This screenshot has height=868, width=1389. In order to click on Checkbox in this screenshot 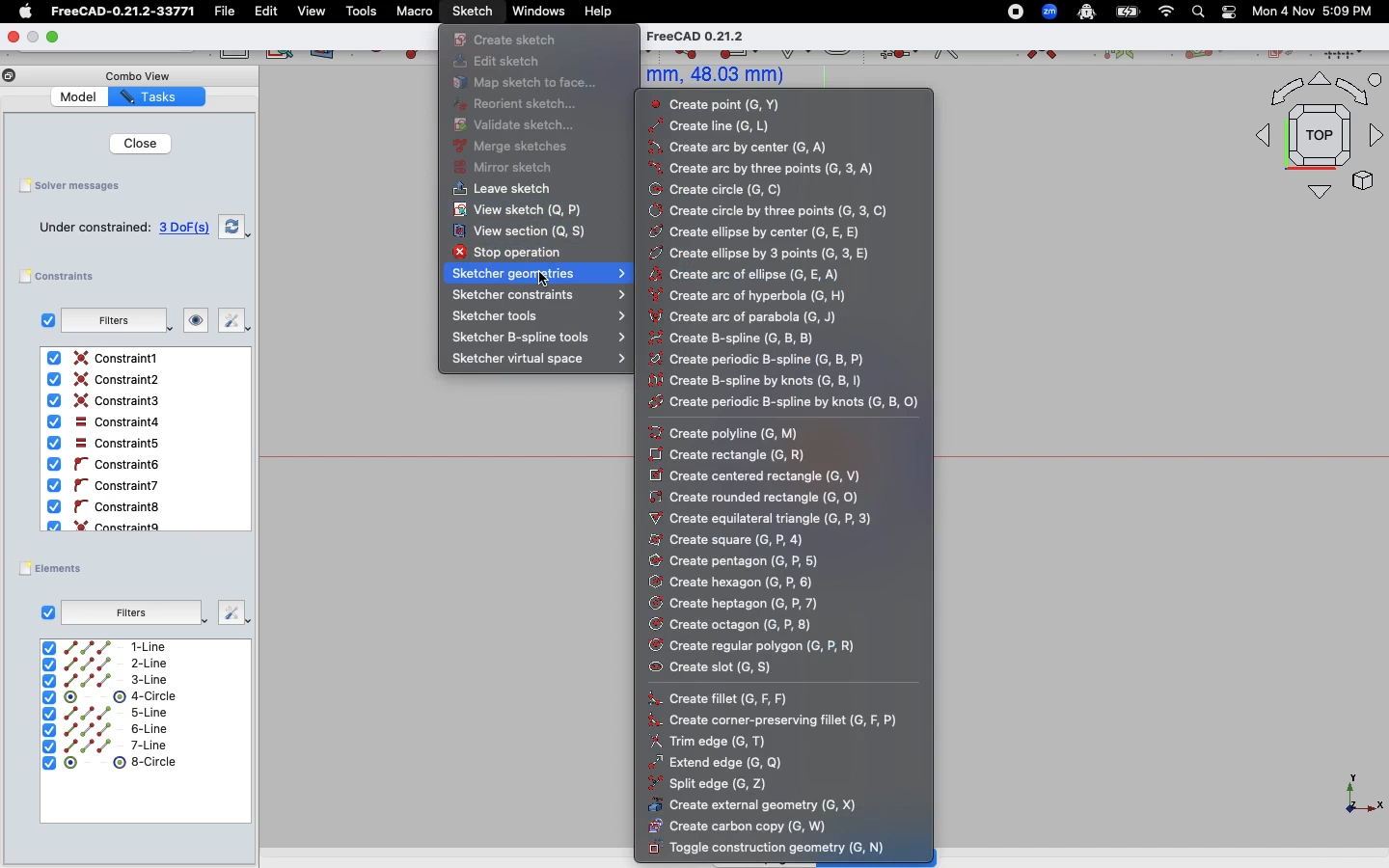, I will do `click(43, 320)`.